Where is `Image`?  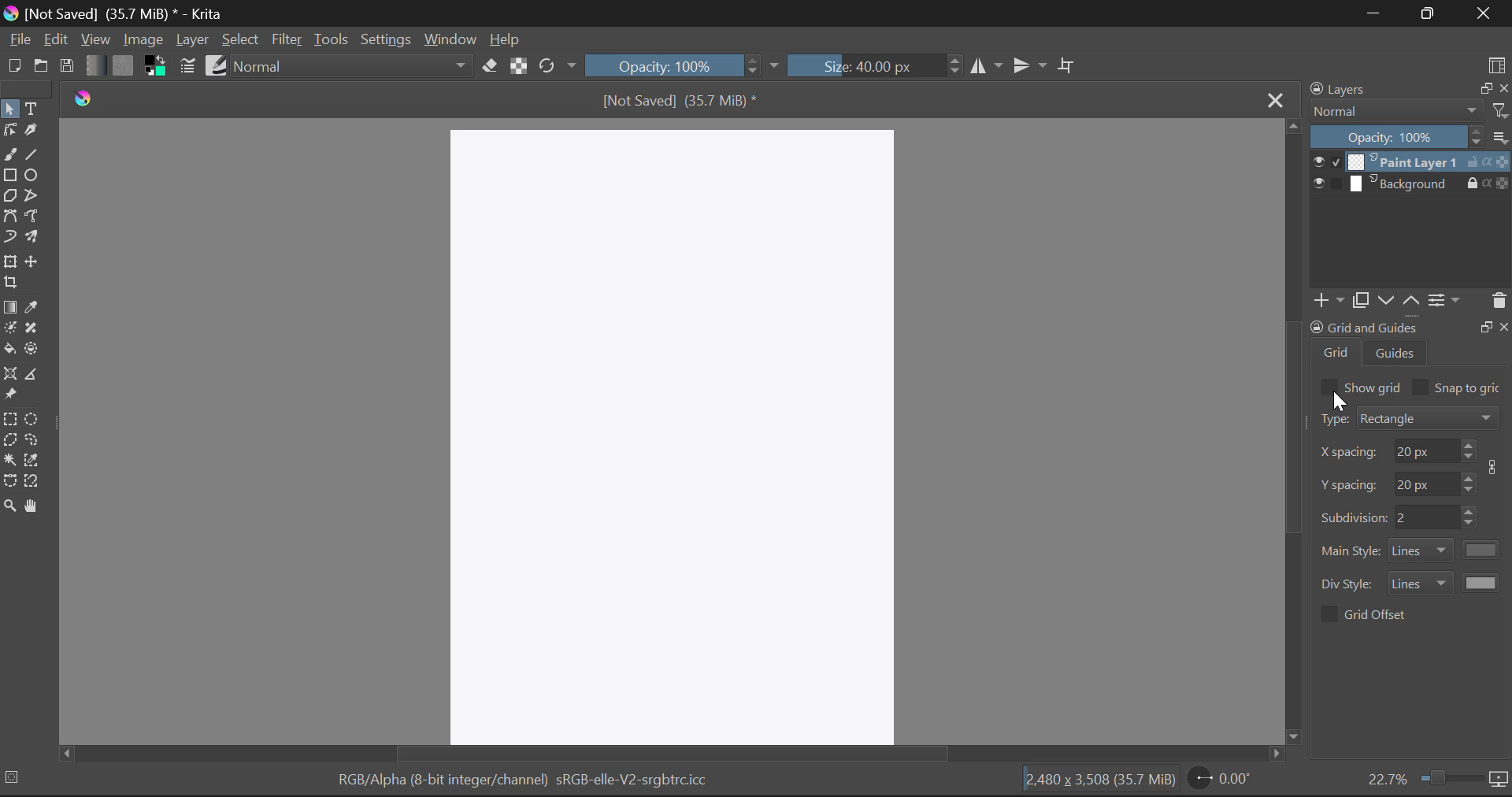
Image is located at coordinates (143, 39).